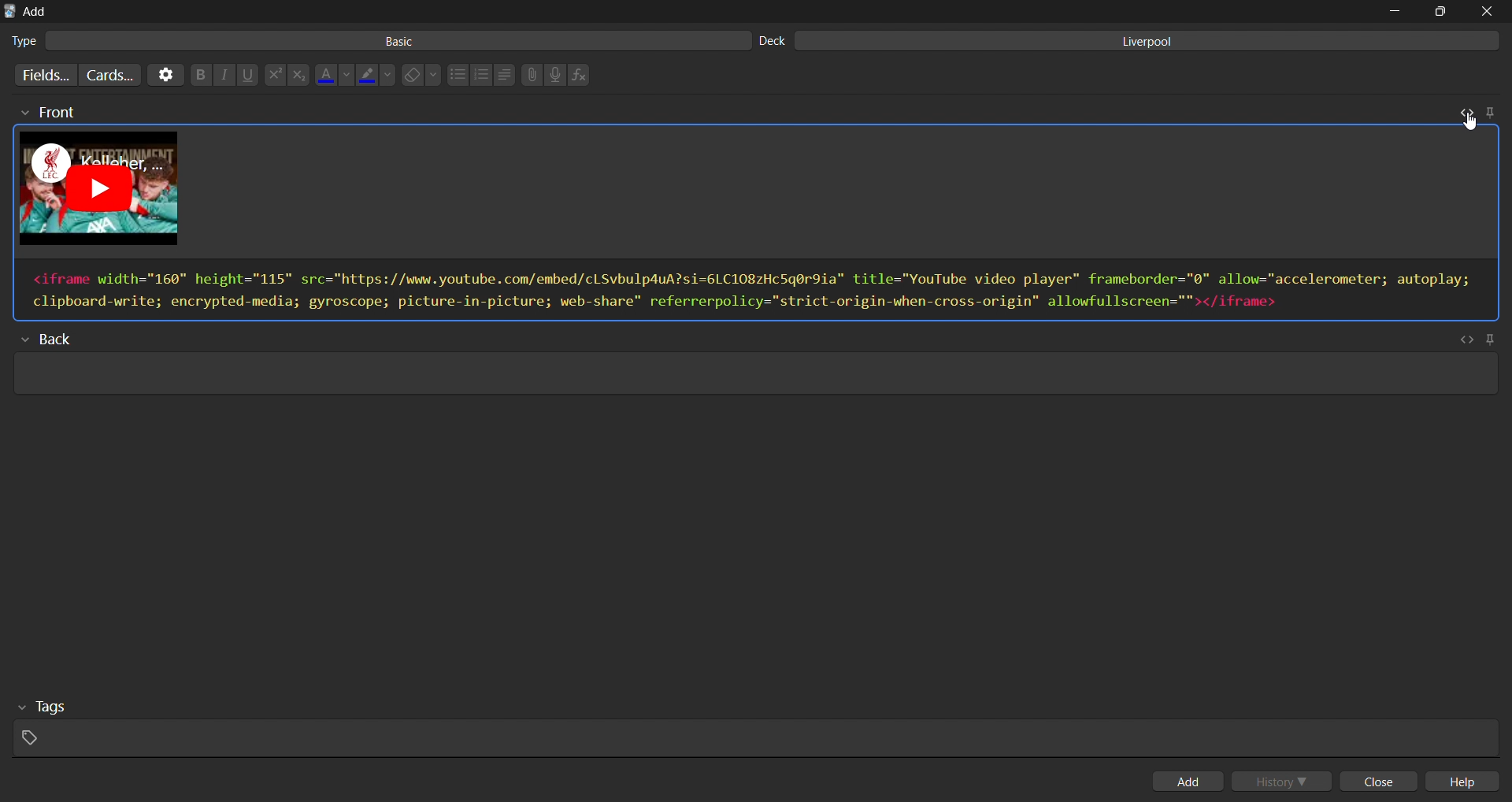 This screenshot has height=802, width=1512. Describe the element at coordinates (298, 75) in the screenshot. I see `subscript` at that location.